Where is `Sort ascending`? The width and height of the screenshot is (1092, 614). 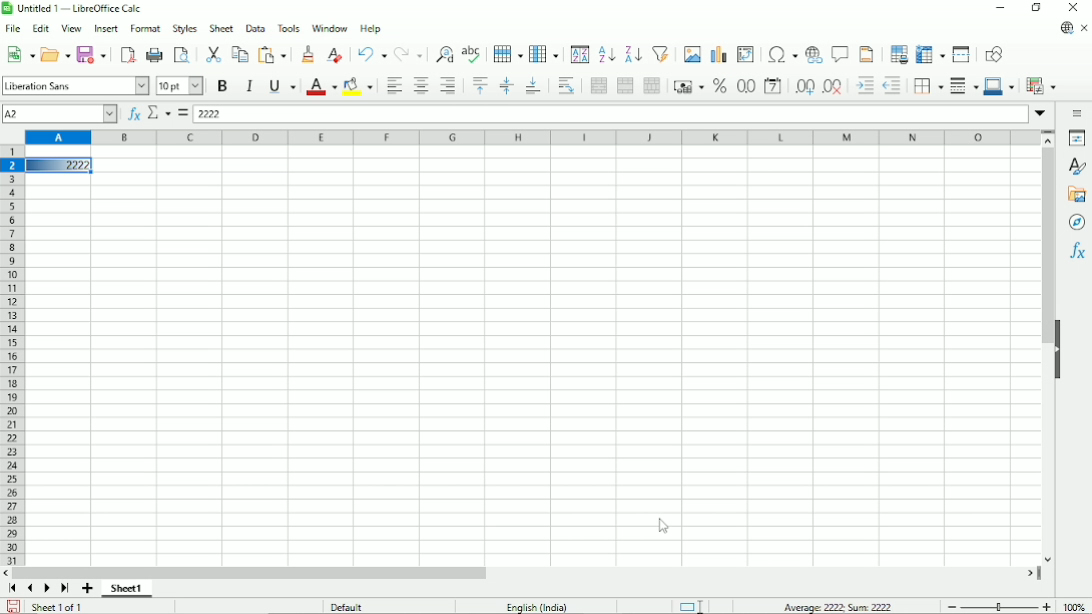 Sort ascending is located at coordinates (607, 53).